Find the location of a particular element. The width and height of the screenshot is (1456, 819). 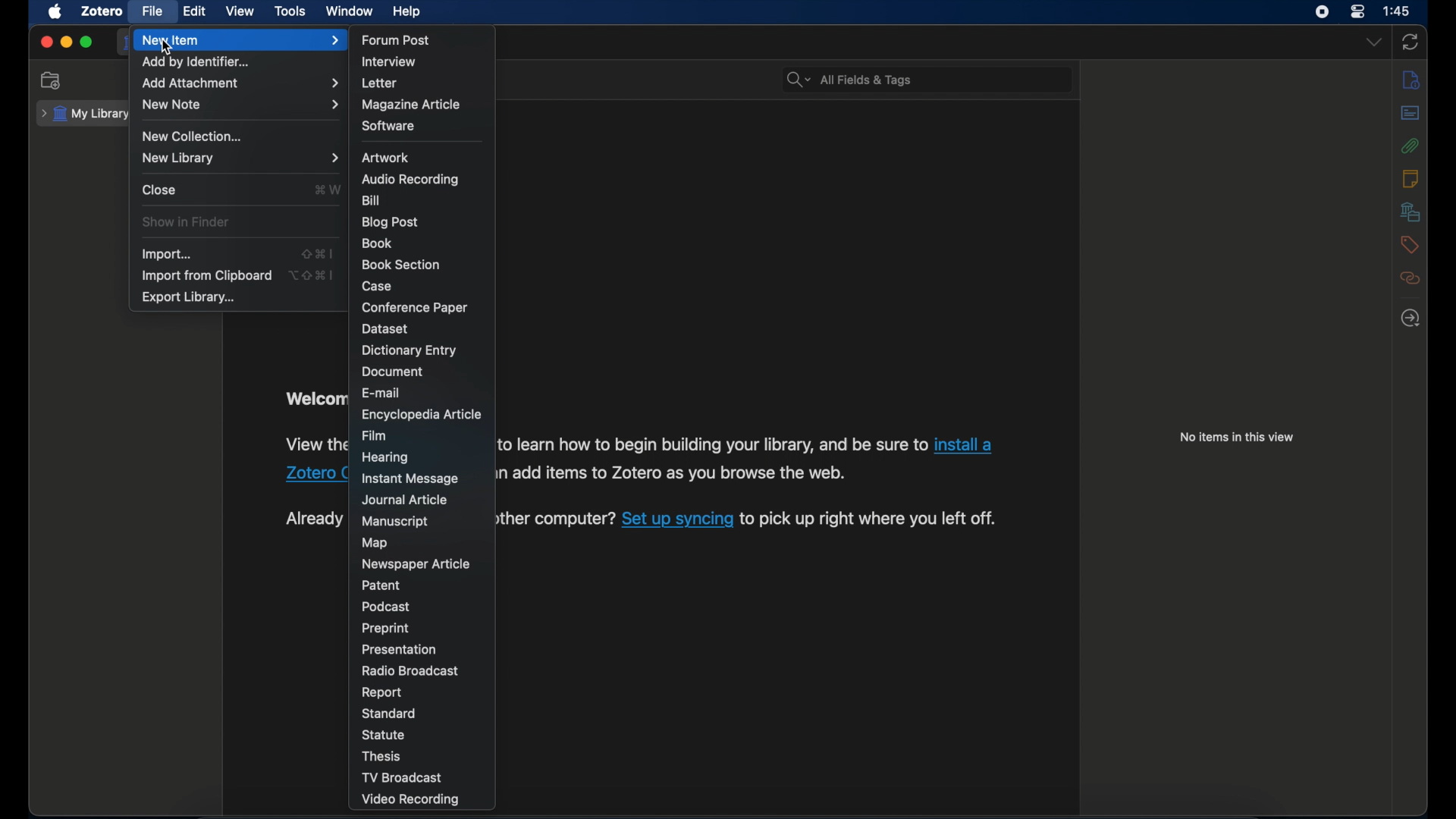

maximize is located at coordinates (86, 42).